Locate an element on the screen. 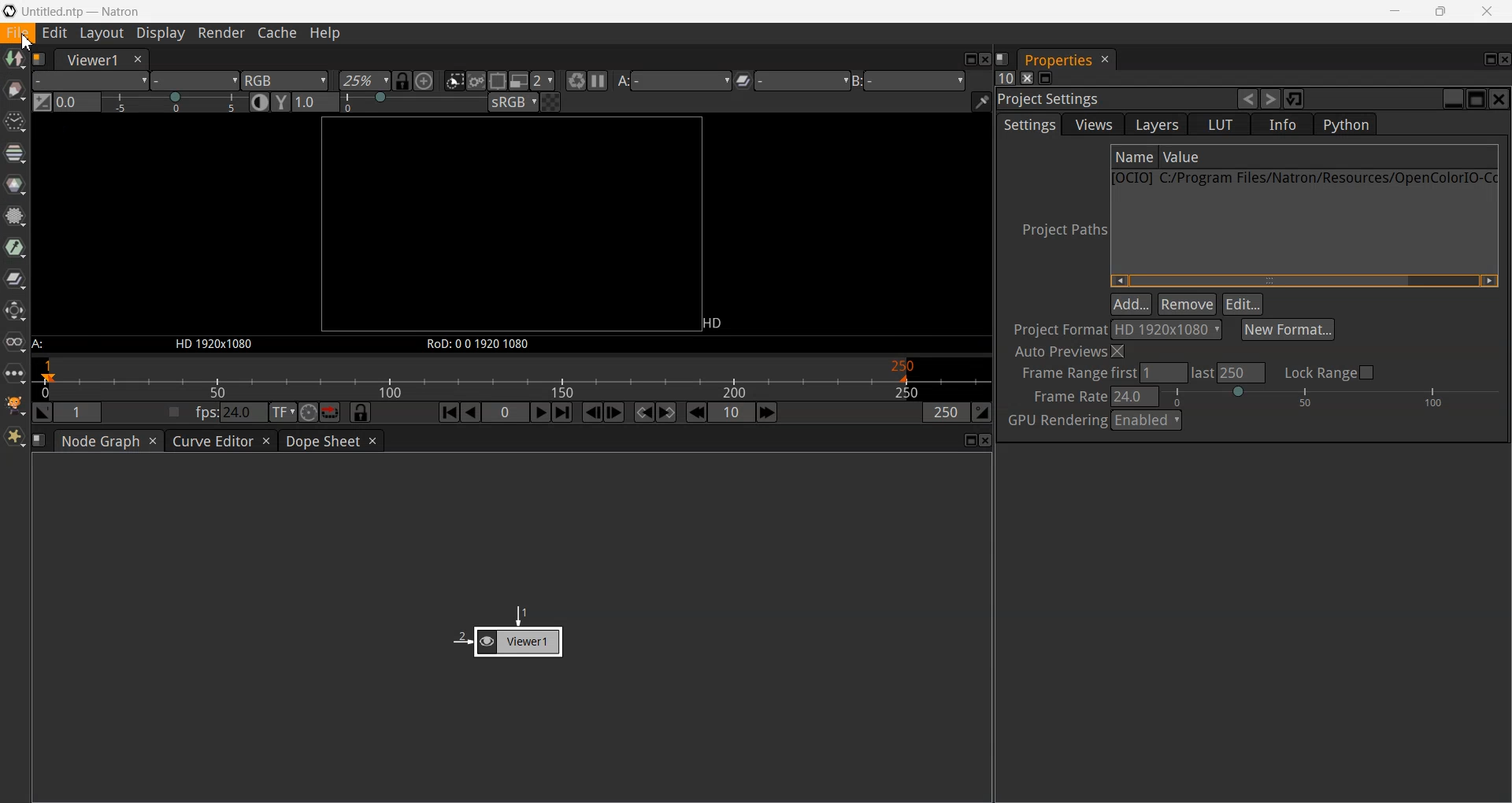 Image resolution: width=1512 pixels, height=803 pixels. Play backward is located at coordinates (471, 413).